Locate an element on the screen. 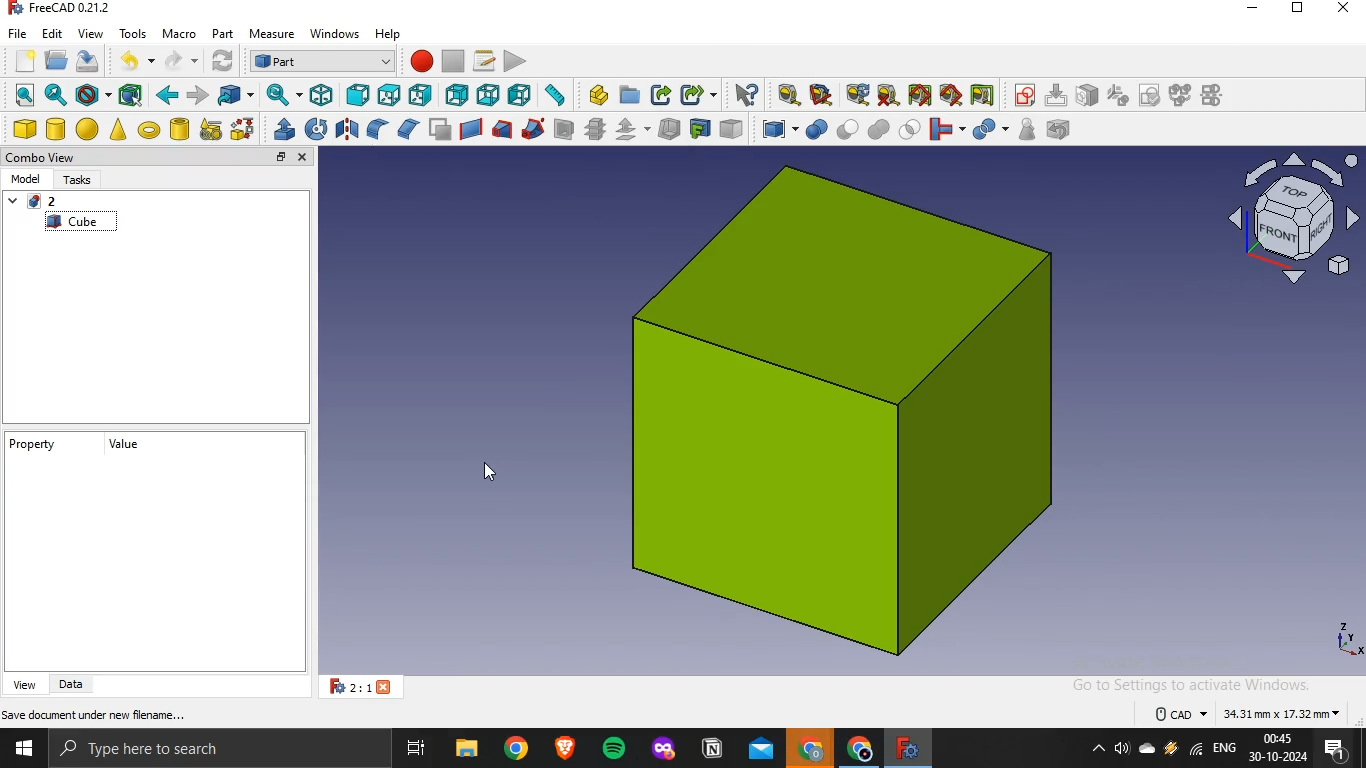 This screenshot has height=768, width=1366. view is located at coordinates (91, 35).